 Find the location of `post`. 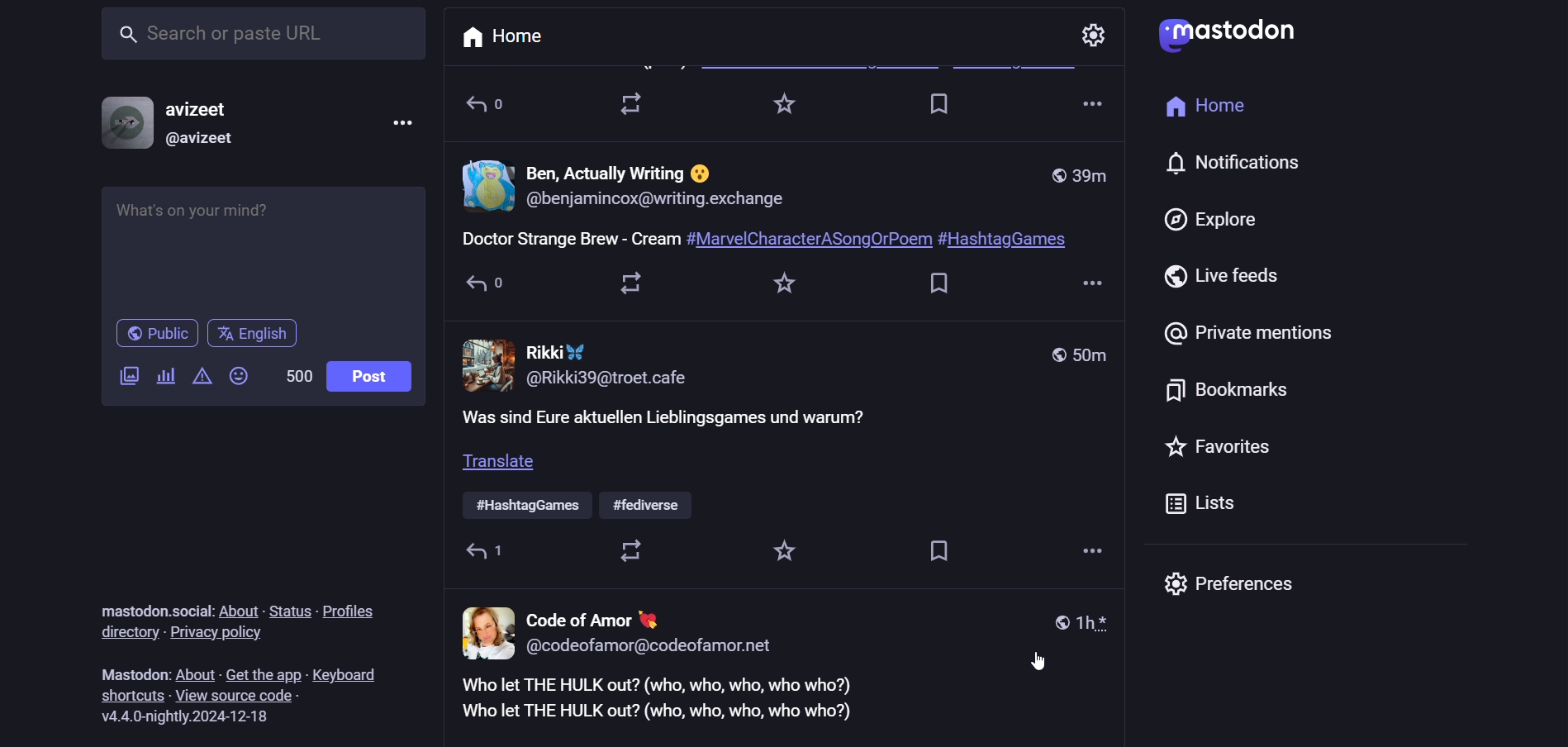

post is located at coordinates (367, 377).